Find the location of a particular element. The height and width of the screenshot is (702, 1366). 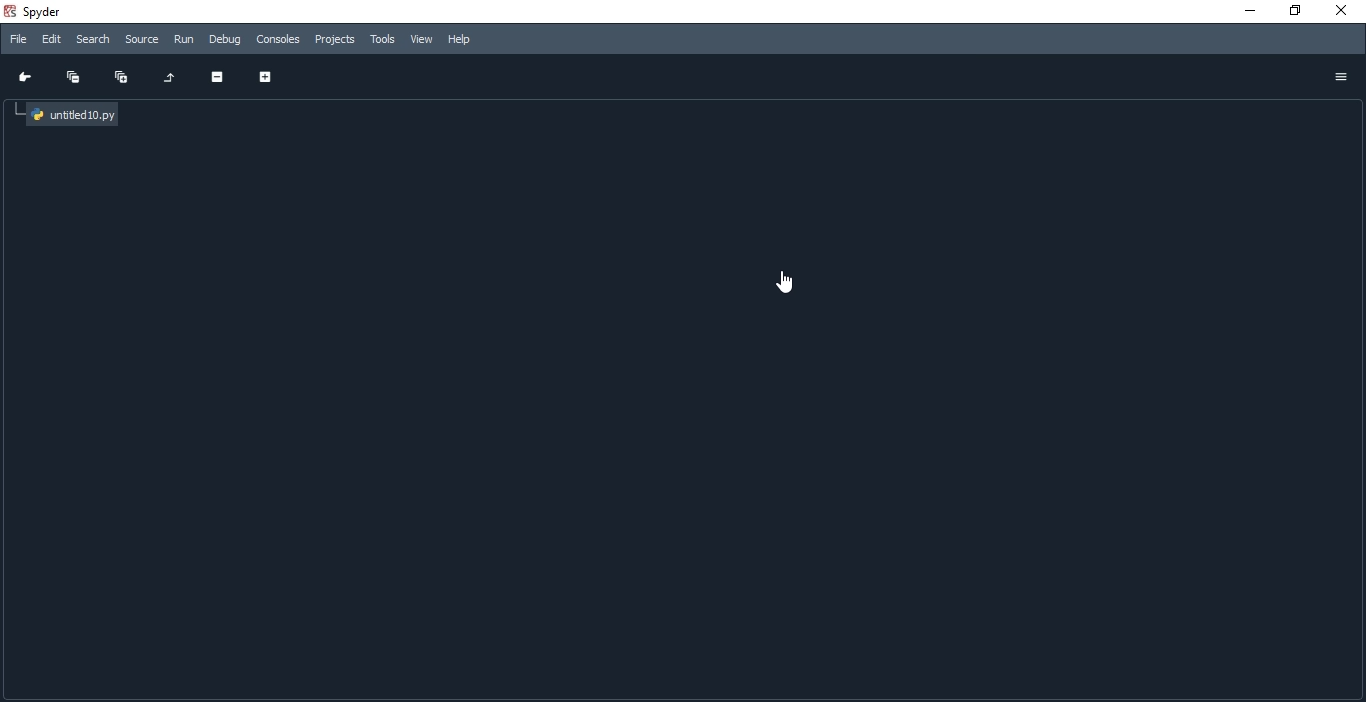

Run is located at coordinates (183, 39).